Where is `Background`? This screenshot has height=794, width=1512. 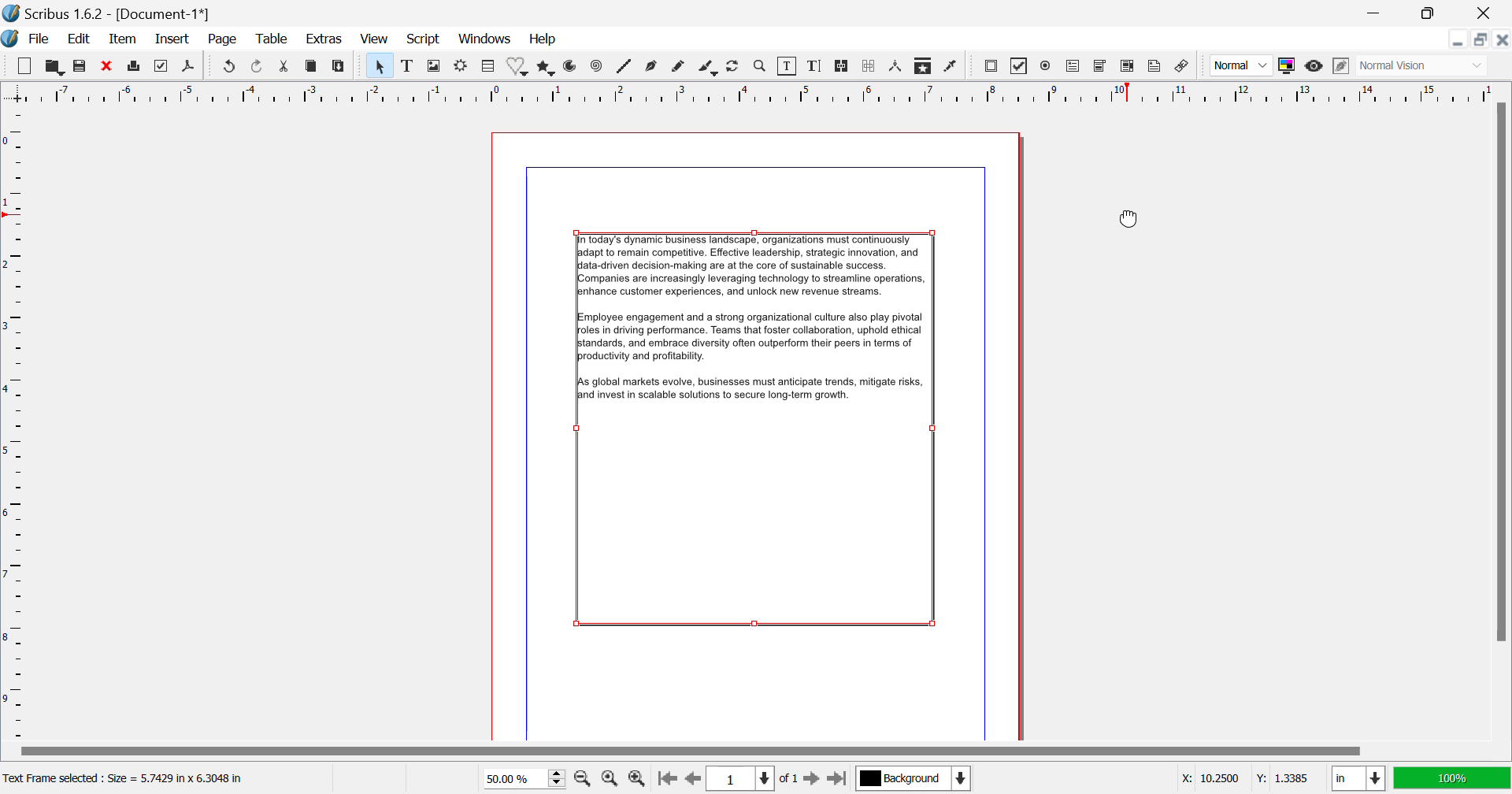
Background is located at coordinates (912, 777).